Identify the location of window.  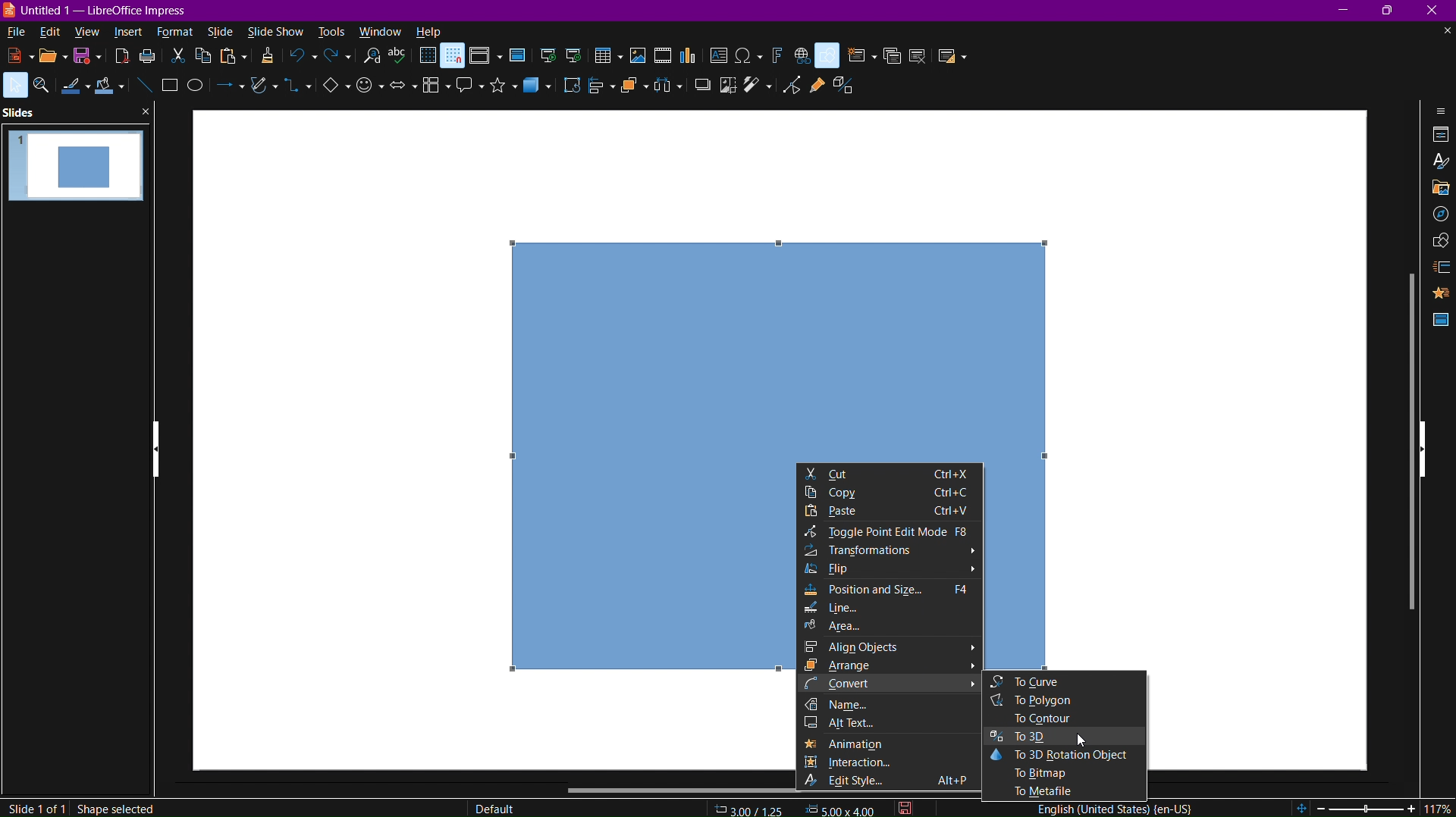
(379, 30).